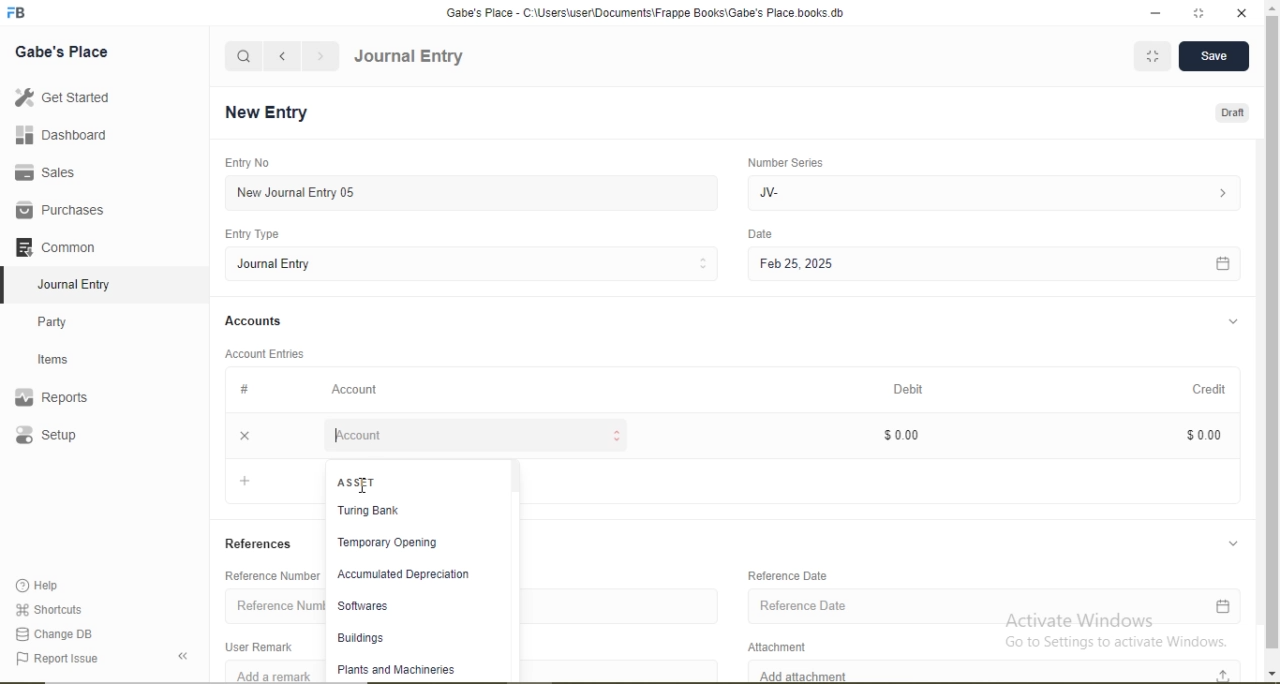 The width and height of the screenshot is (1280, 684). What do you see at coordinates (60, 210) in the screenshot?
I see `Purchases` at bounding box center [60, 210].